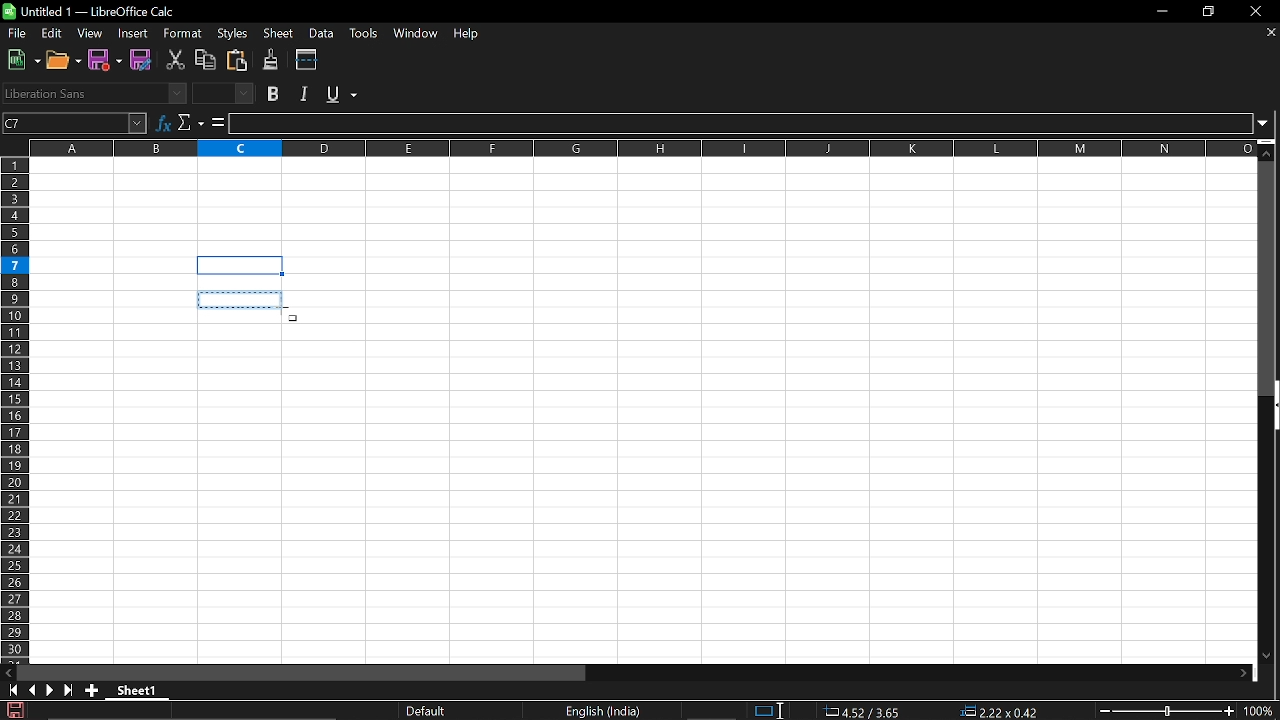 The width and height of the screenshot is (1280, 720). What do you see at coordinates (362, 34) in the screenshot?
I see `Tools` at bounding box center [362, 34].